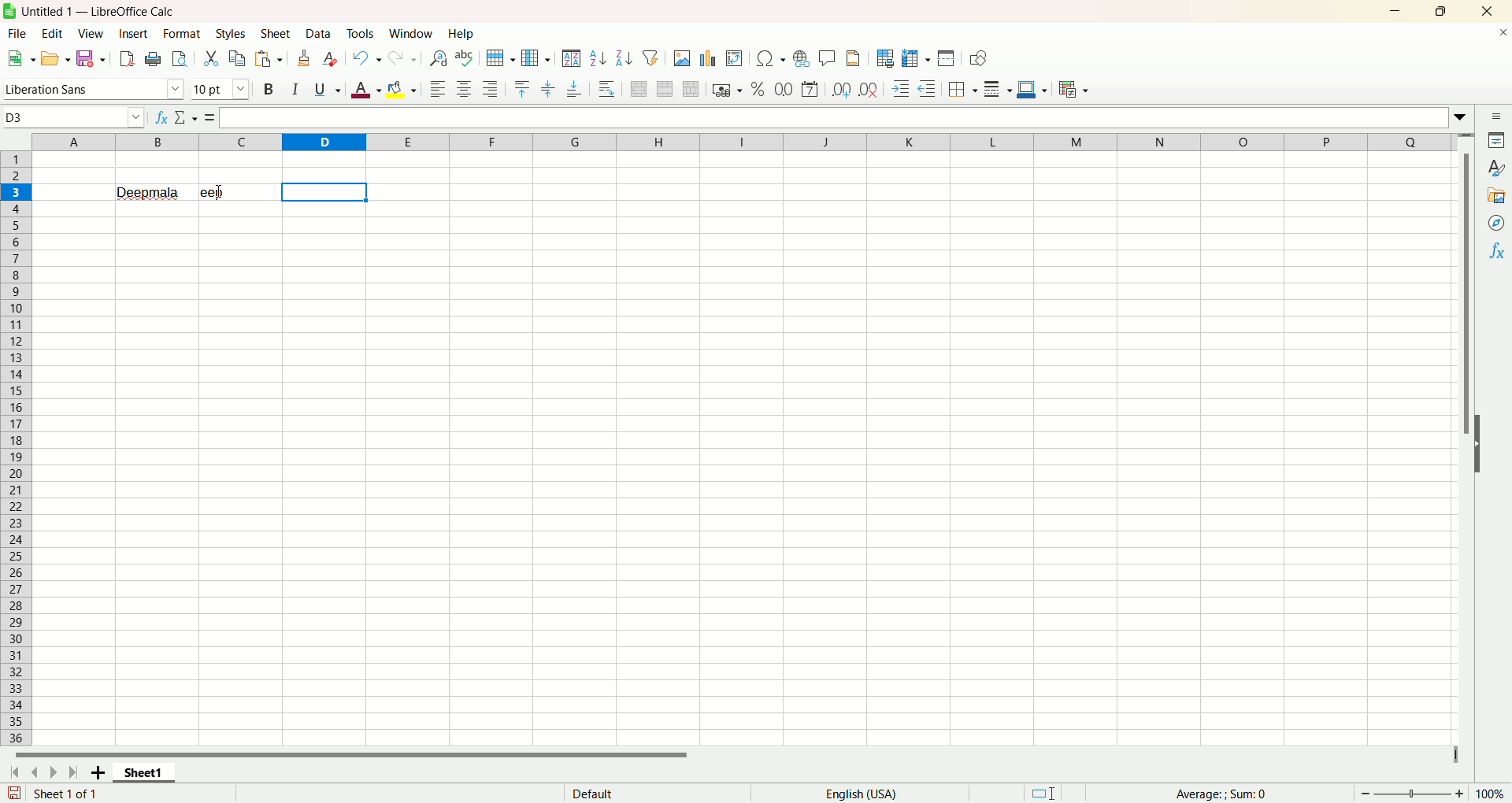  What do you see at coordinates (730, 759) in the screenshot?
I see `horizontal scroll bar` at bounding box center [730, 759].